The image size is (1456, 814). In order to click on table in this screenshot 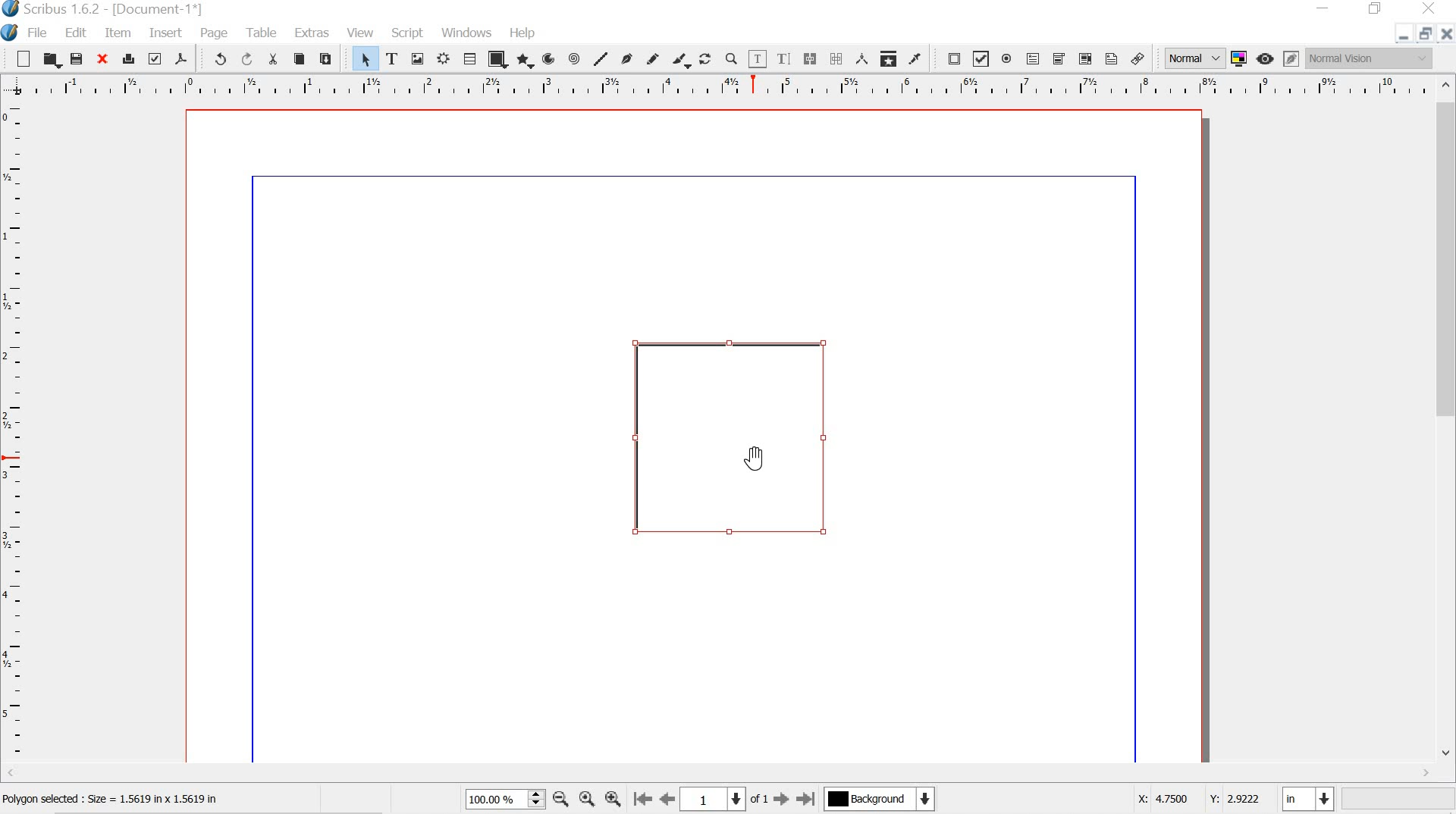, I will do `click(262, 33)`.